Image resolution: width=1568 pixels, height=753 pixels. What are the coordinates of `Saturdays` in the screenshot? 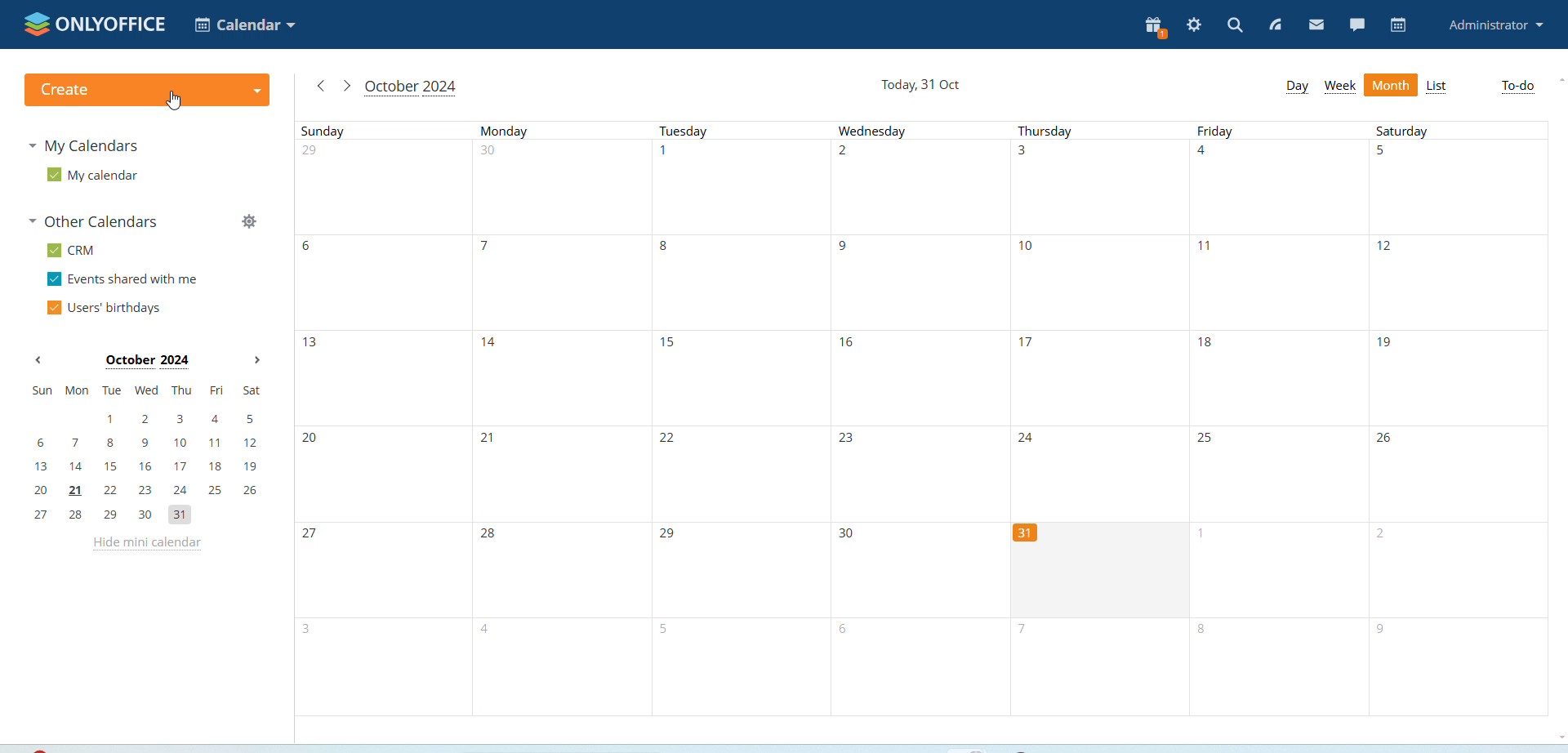 It's located at (1459, 418).